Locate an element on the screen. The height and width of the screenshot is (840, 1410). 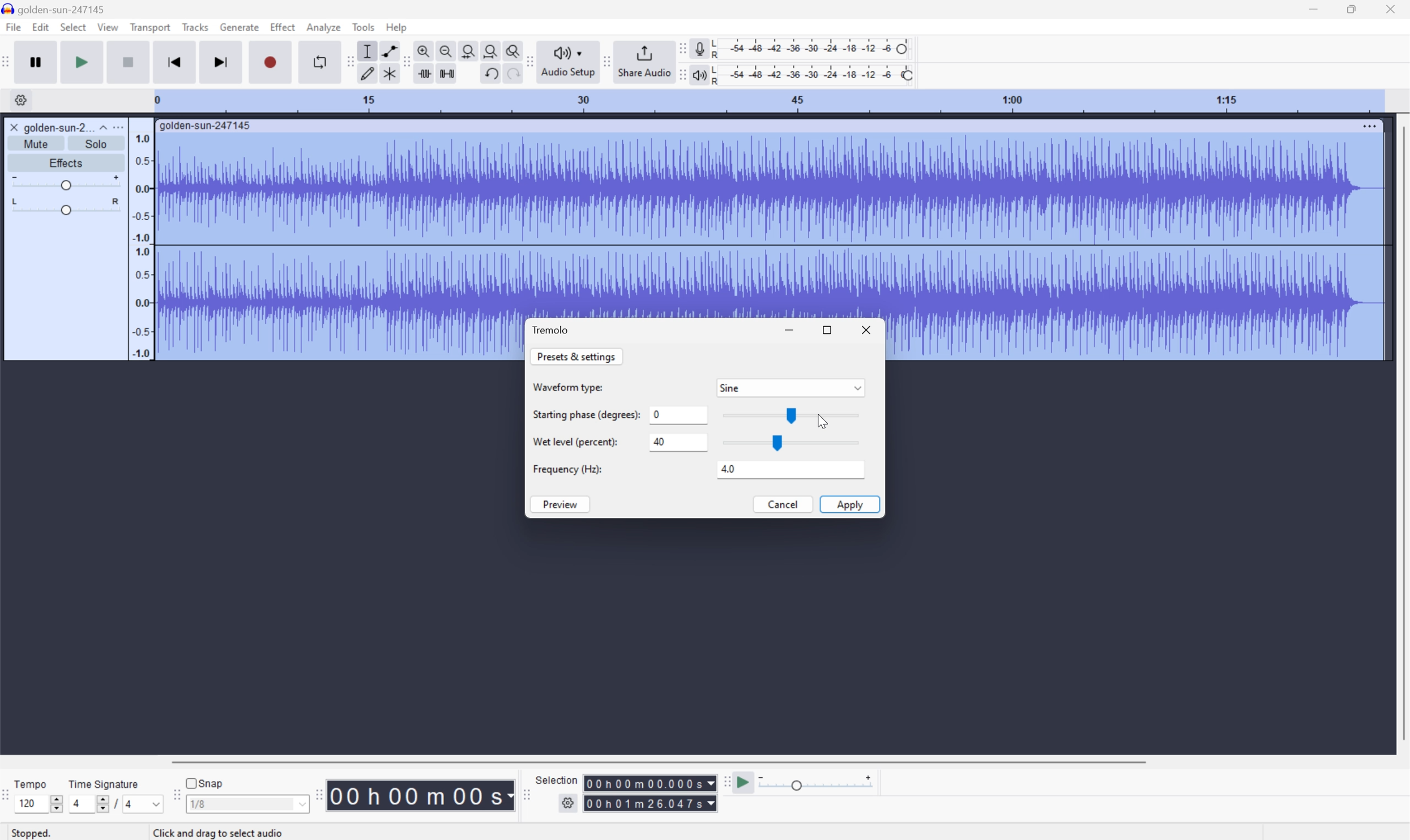
More is located at coordinates (121, 126).